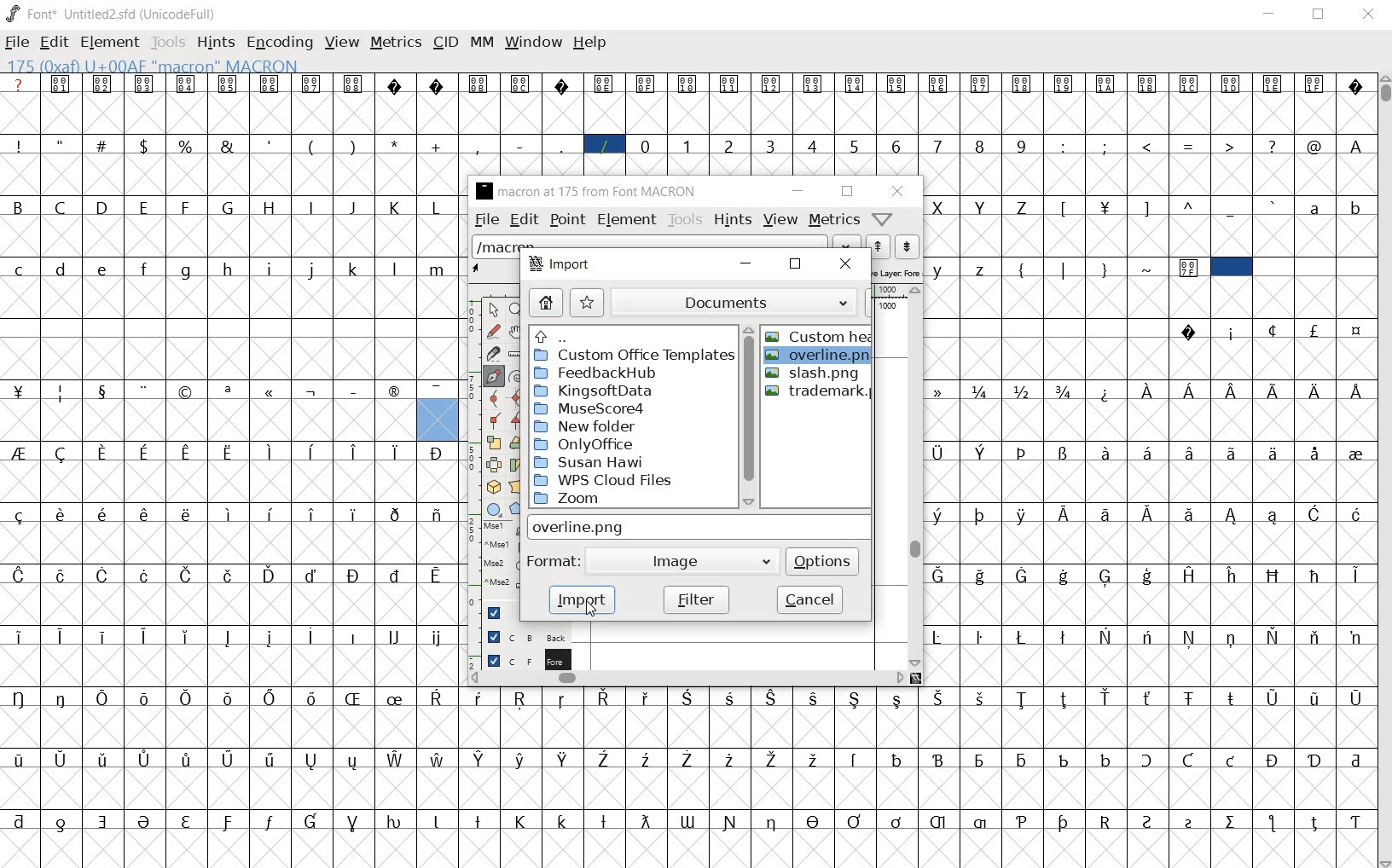 The width and height of the screenshot is (1392, 868). What do you see at coordinates (941, 391) in the screenshot?
I see `Symbol` at bounding box center [941, 391].